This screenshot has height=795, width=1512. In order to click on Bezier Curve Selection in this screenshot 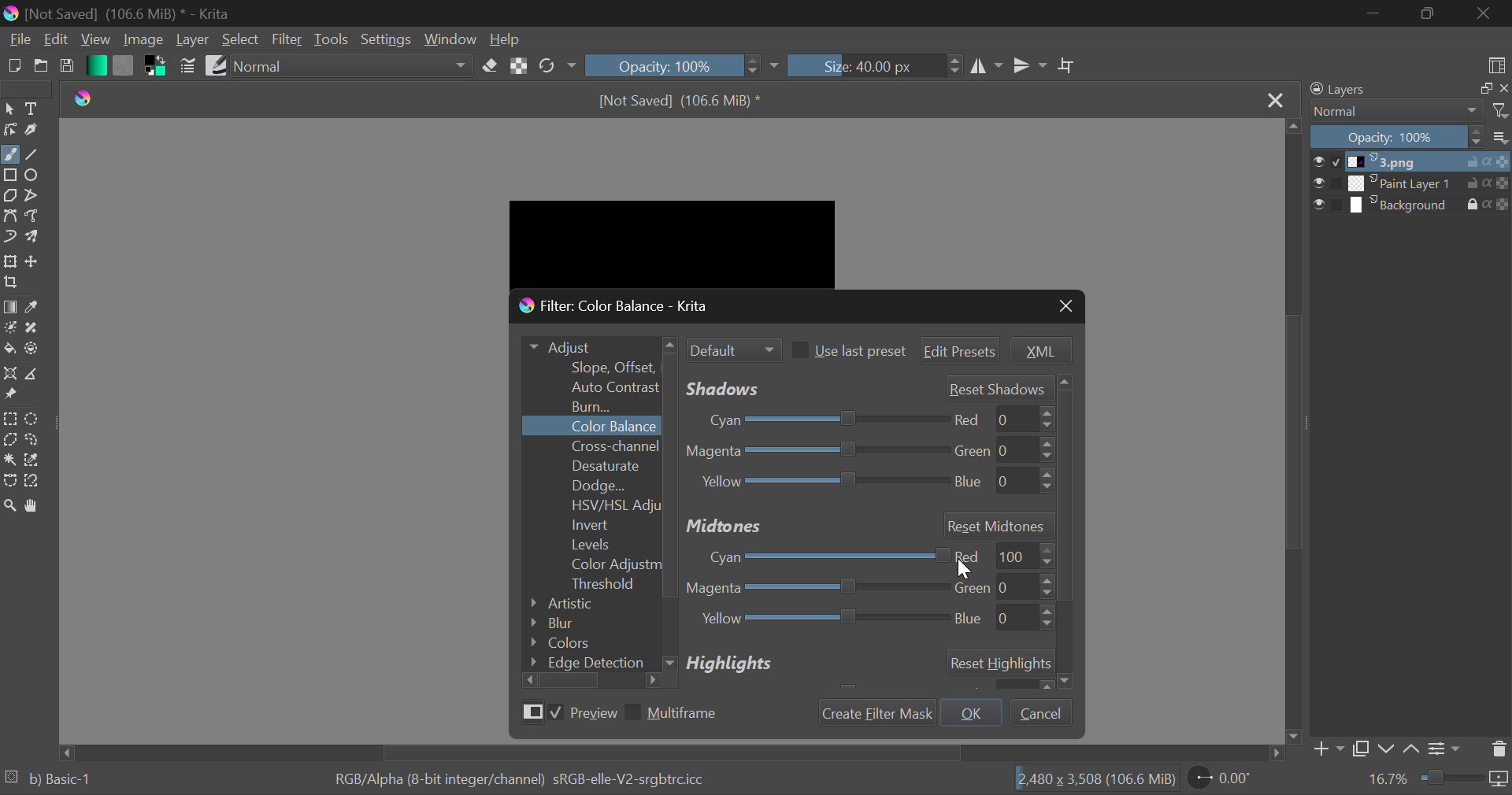, I will do `click(10, 480)`.